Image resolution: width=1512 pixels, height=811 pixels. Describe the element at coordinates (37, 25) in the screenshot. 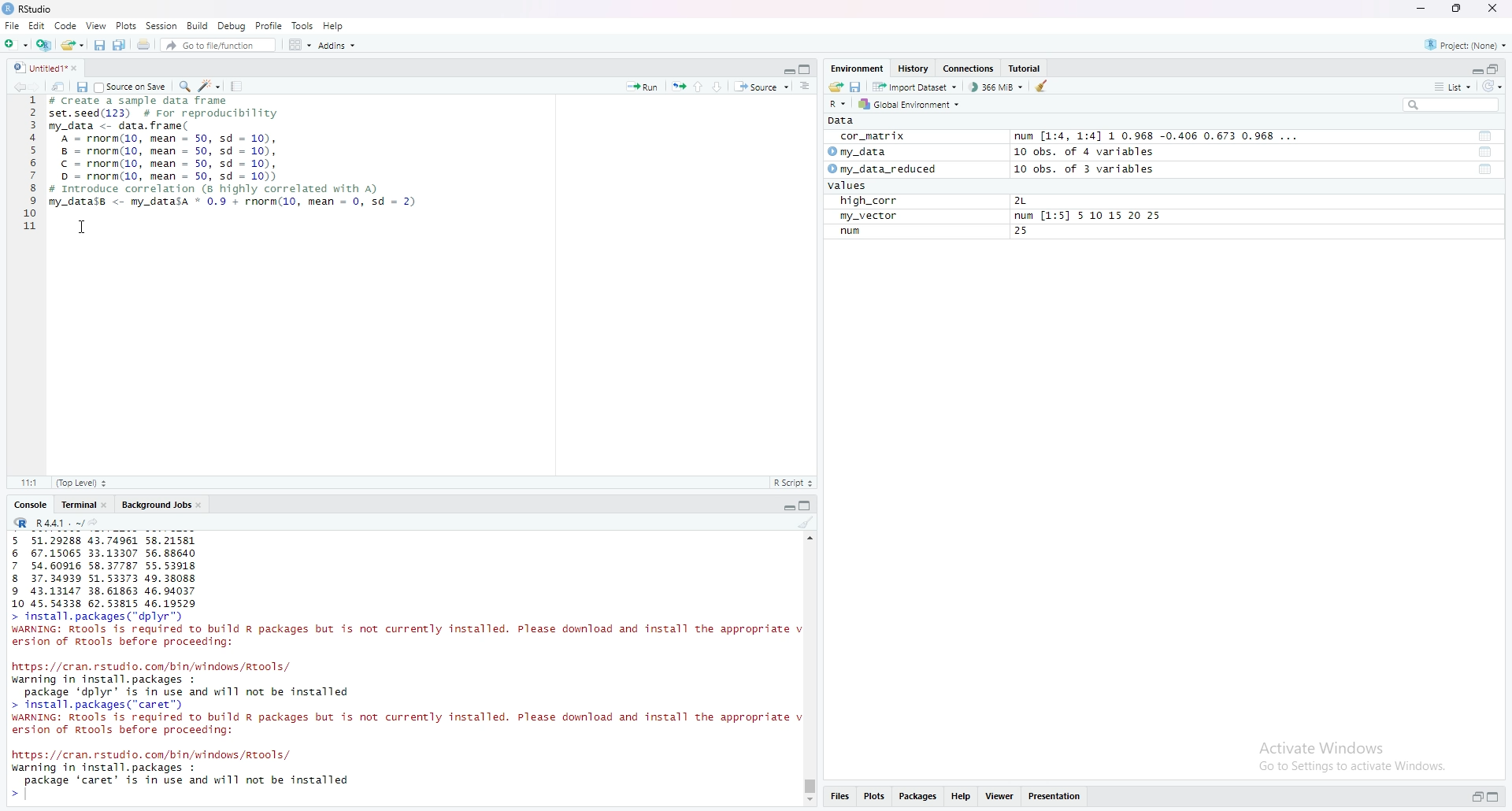

I see `Edit ` at that location.